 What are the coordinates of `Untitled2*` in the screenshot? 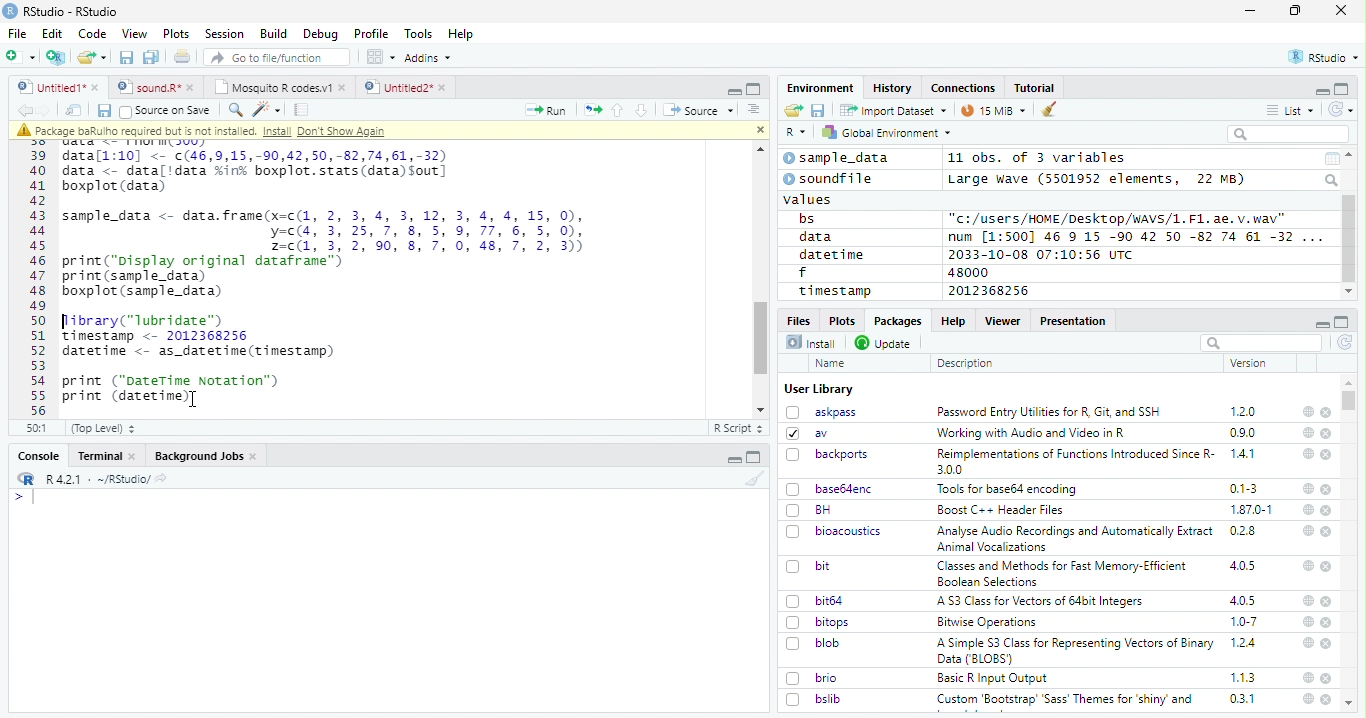 It's located at (409, 88).